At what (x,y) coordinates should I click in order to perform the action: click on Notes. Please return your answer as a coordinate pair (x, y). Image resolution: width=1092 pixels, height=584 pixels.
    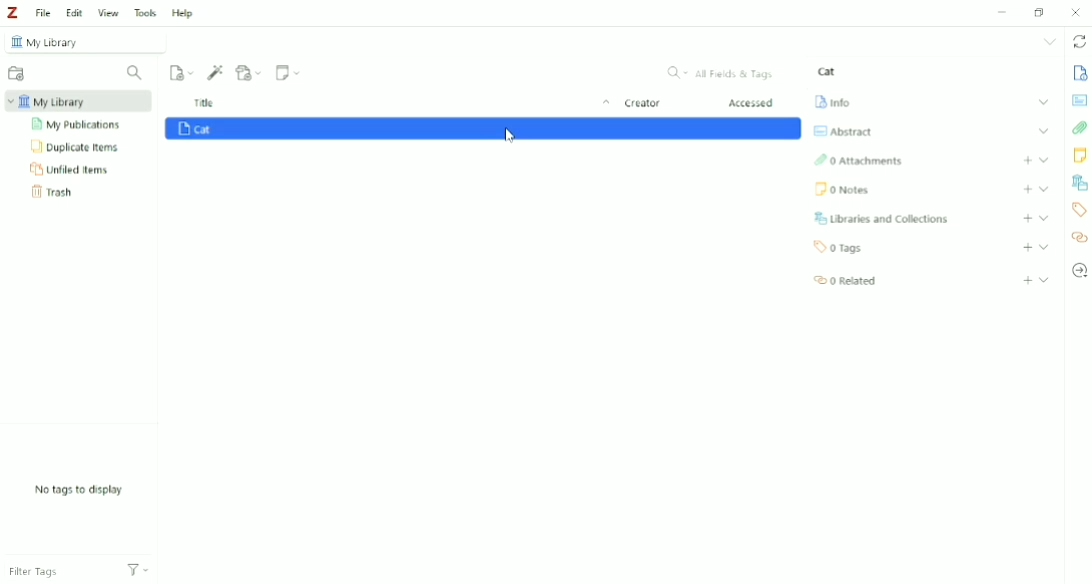
    Looking at the image, I should click on (841, 189).